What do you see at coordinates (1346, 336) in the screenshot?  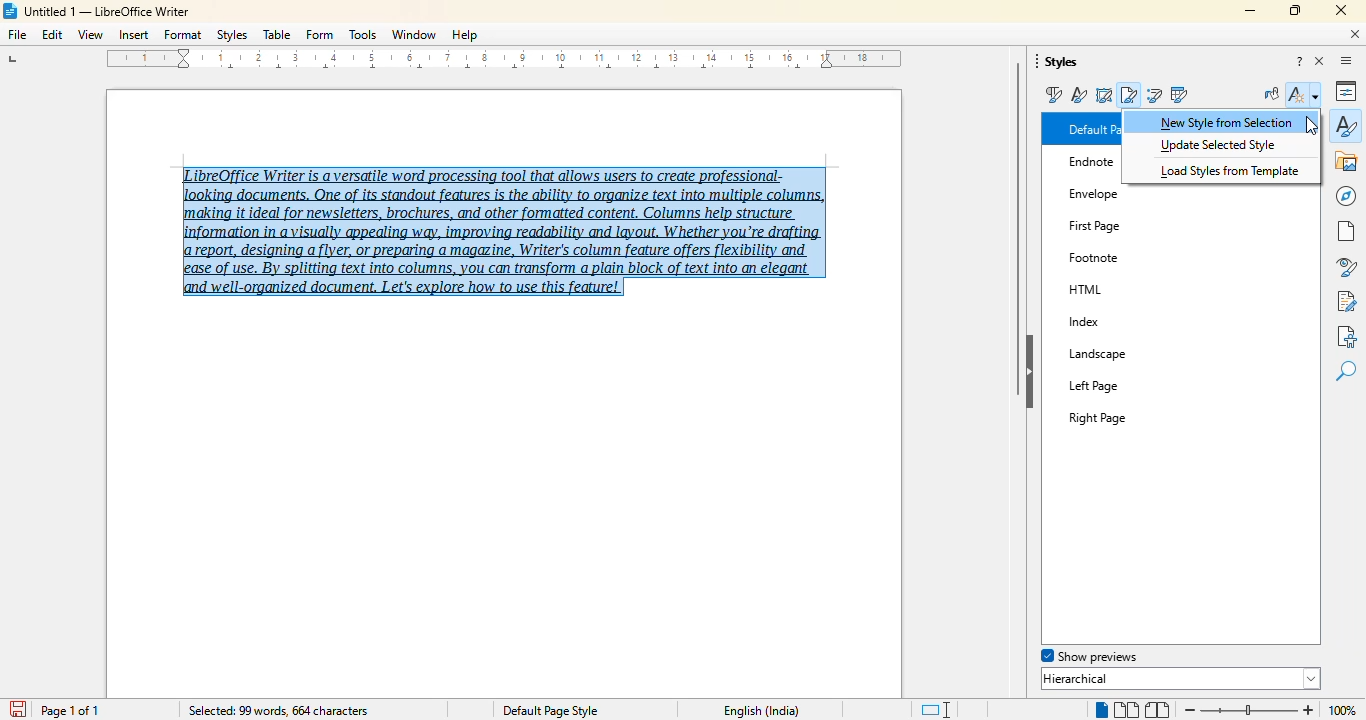 I see `accessibility check` at bounding box center [1346, 336].